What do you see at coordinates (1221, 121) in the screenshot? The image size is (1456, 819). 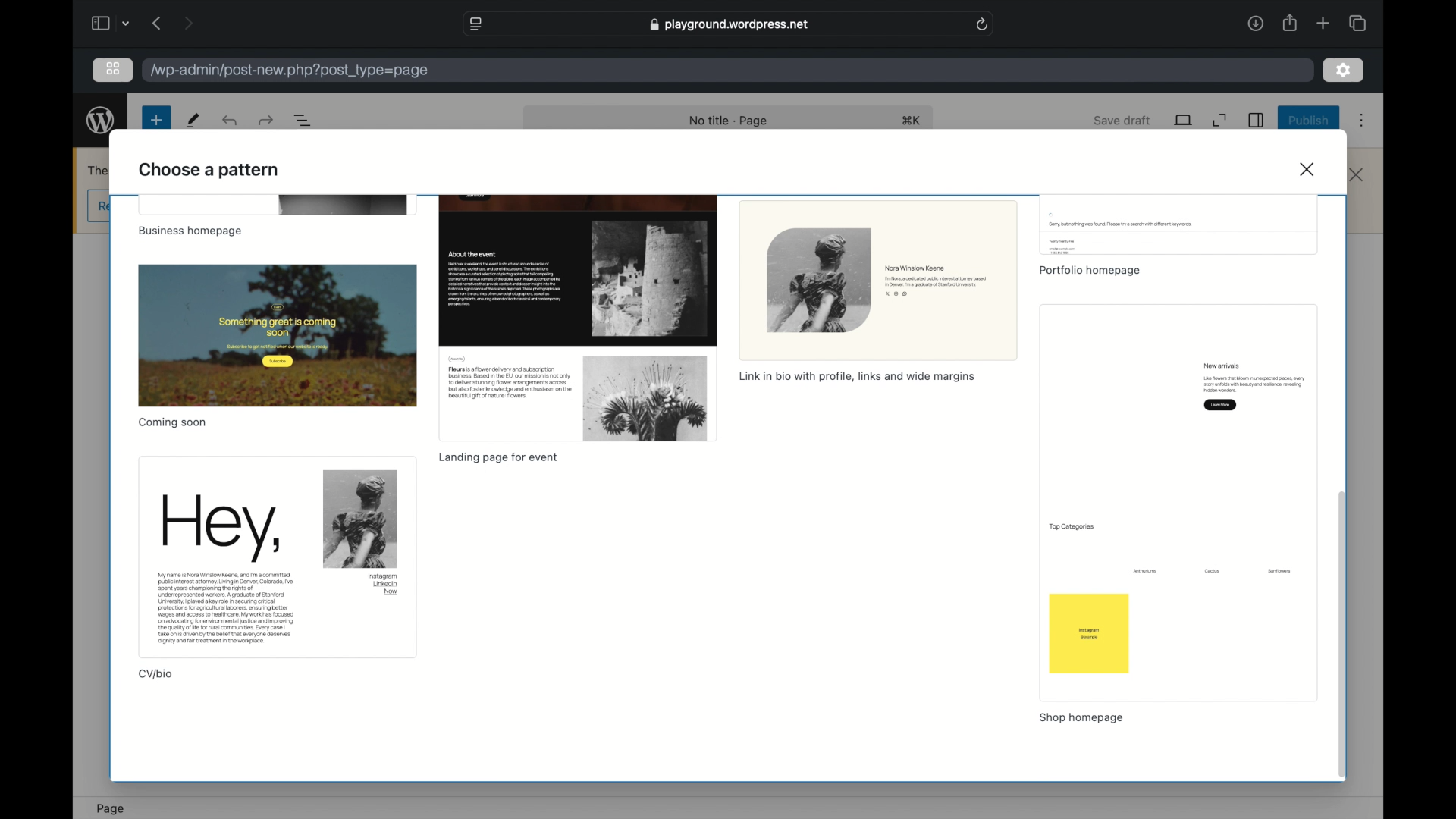 I see `expand` at bounding box center [1221, 121].